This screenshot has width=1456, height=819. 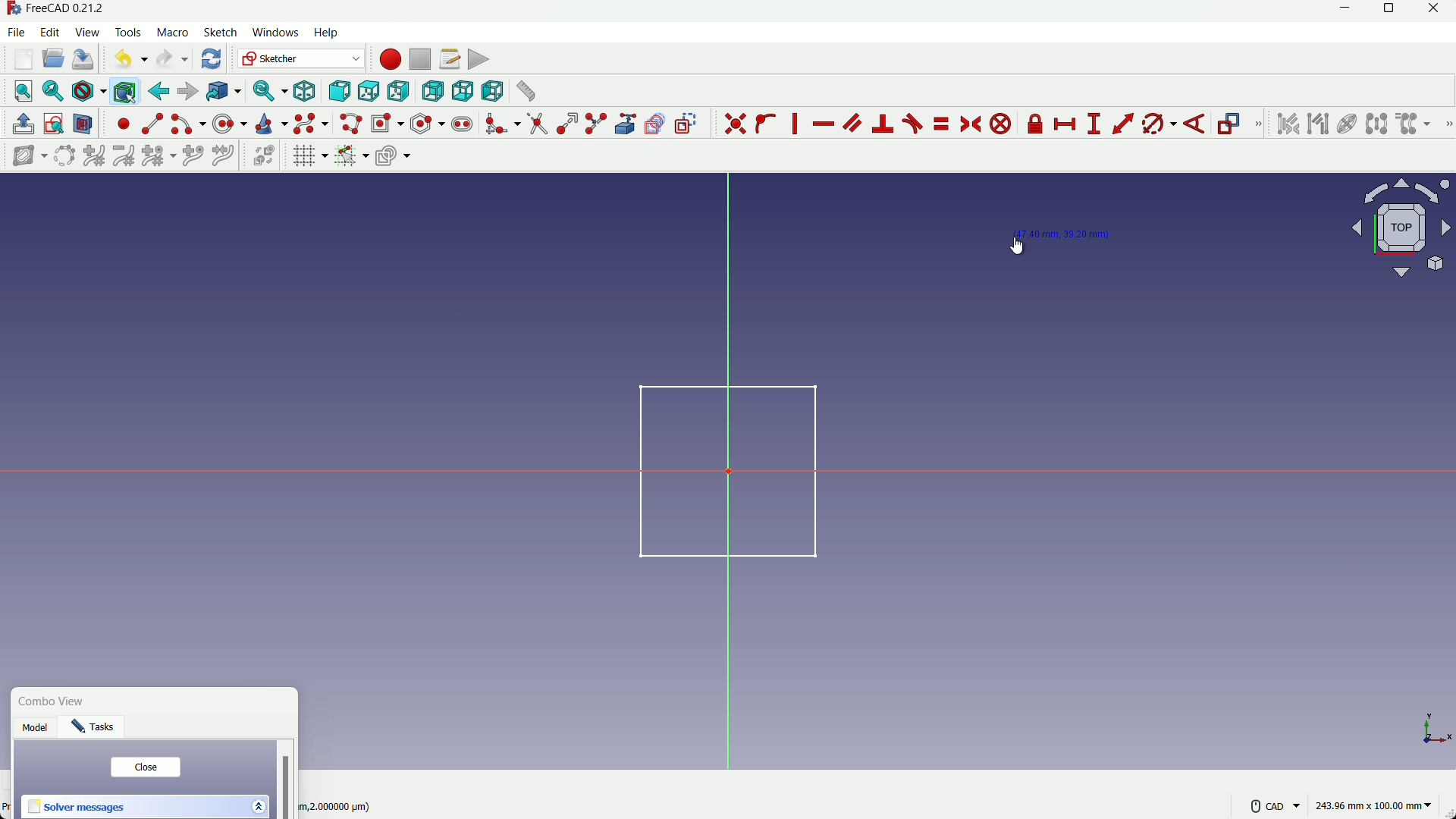 I want to click on toggle snap, so click(x=351, y=155).